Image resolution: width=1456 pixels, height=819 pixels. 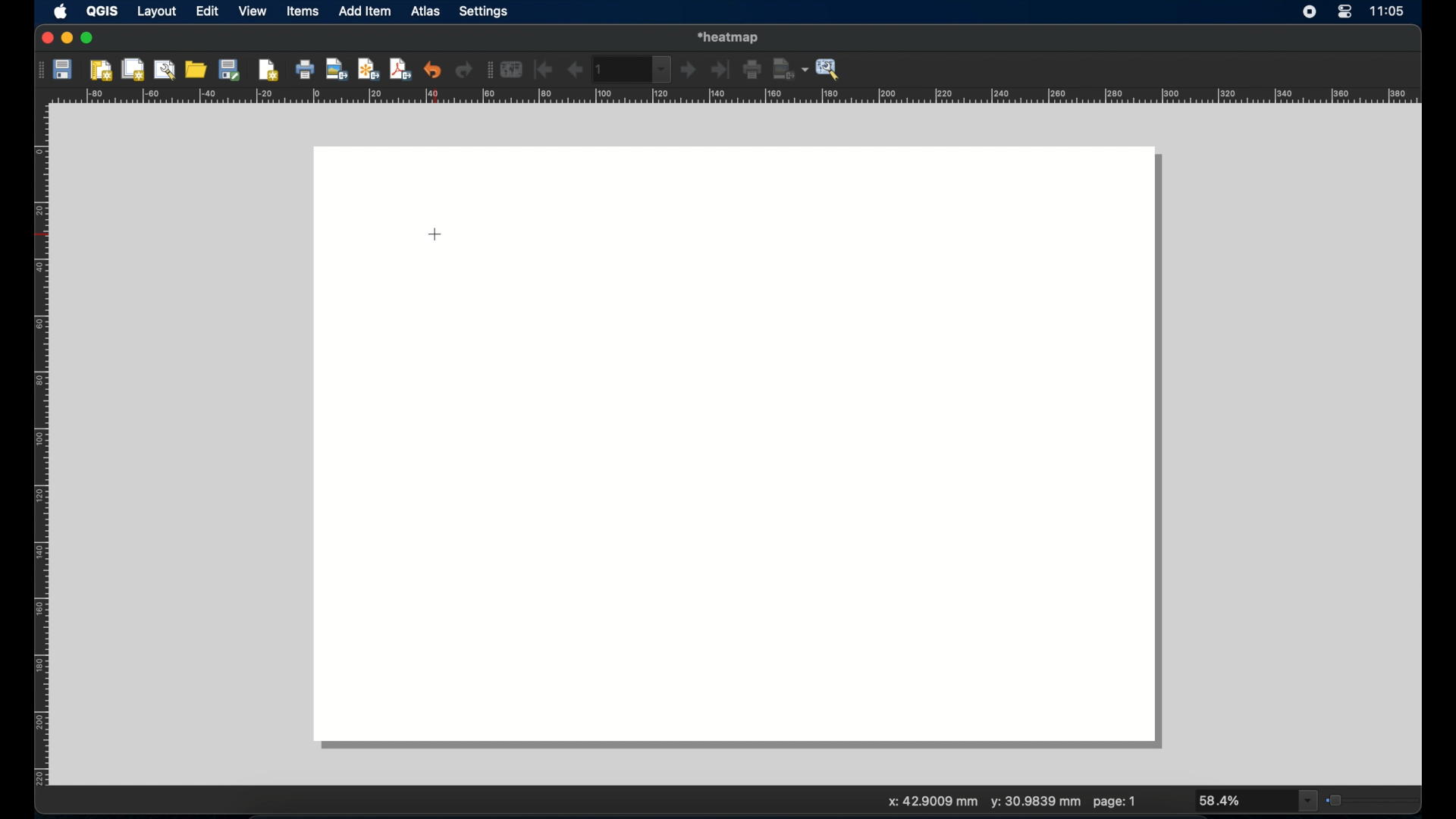 What do you see at coordinates (488, 71) in the screenshot?
I see `atlas toolbar` at bounding box center [488, 71].